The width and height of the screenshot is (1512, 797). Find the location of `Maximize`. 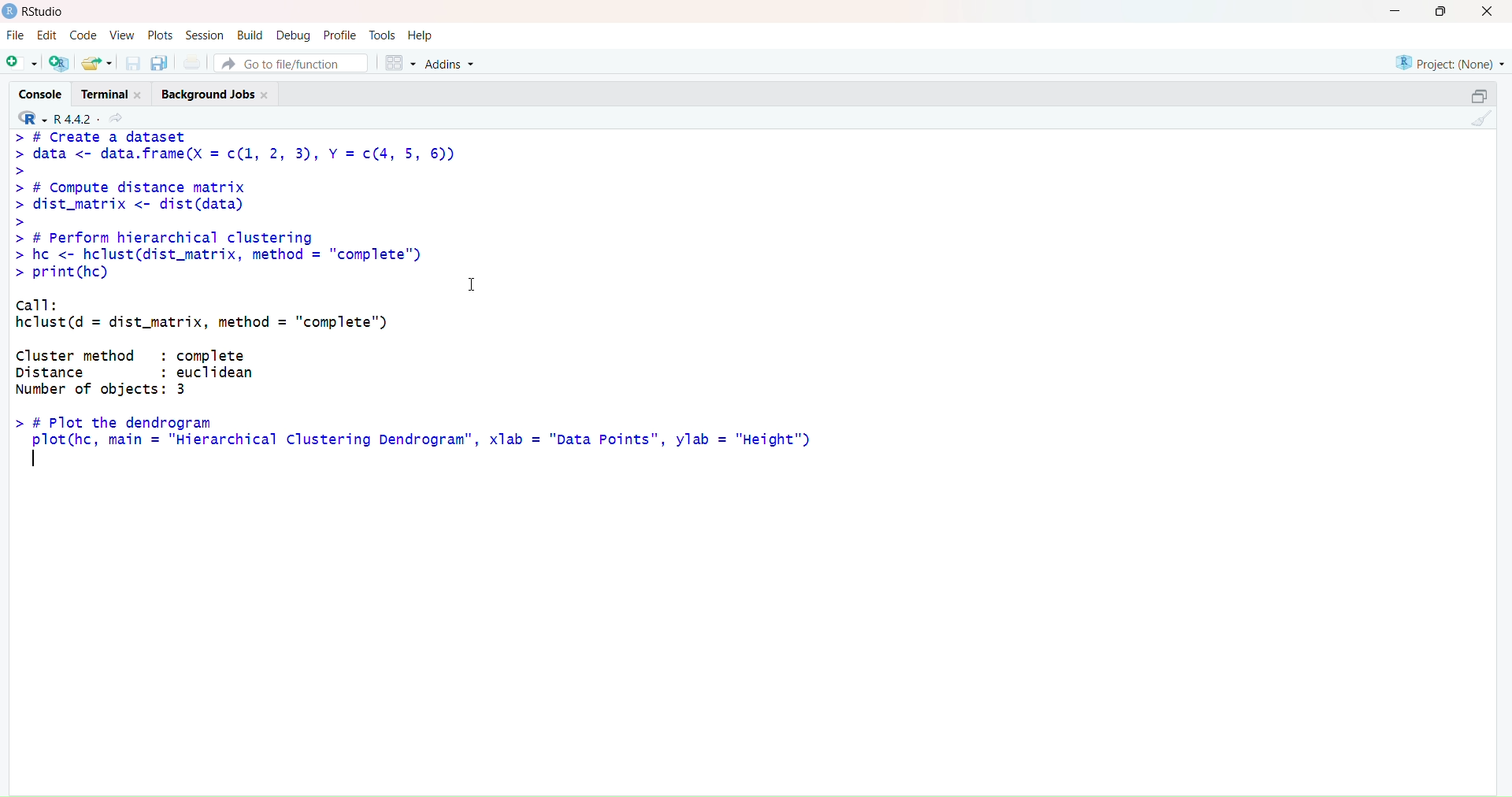

Maximize is located at coordinates (1475, 96).